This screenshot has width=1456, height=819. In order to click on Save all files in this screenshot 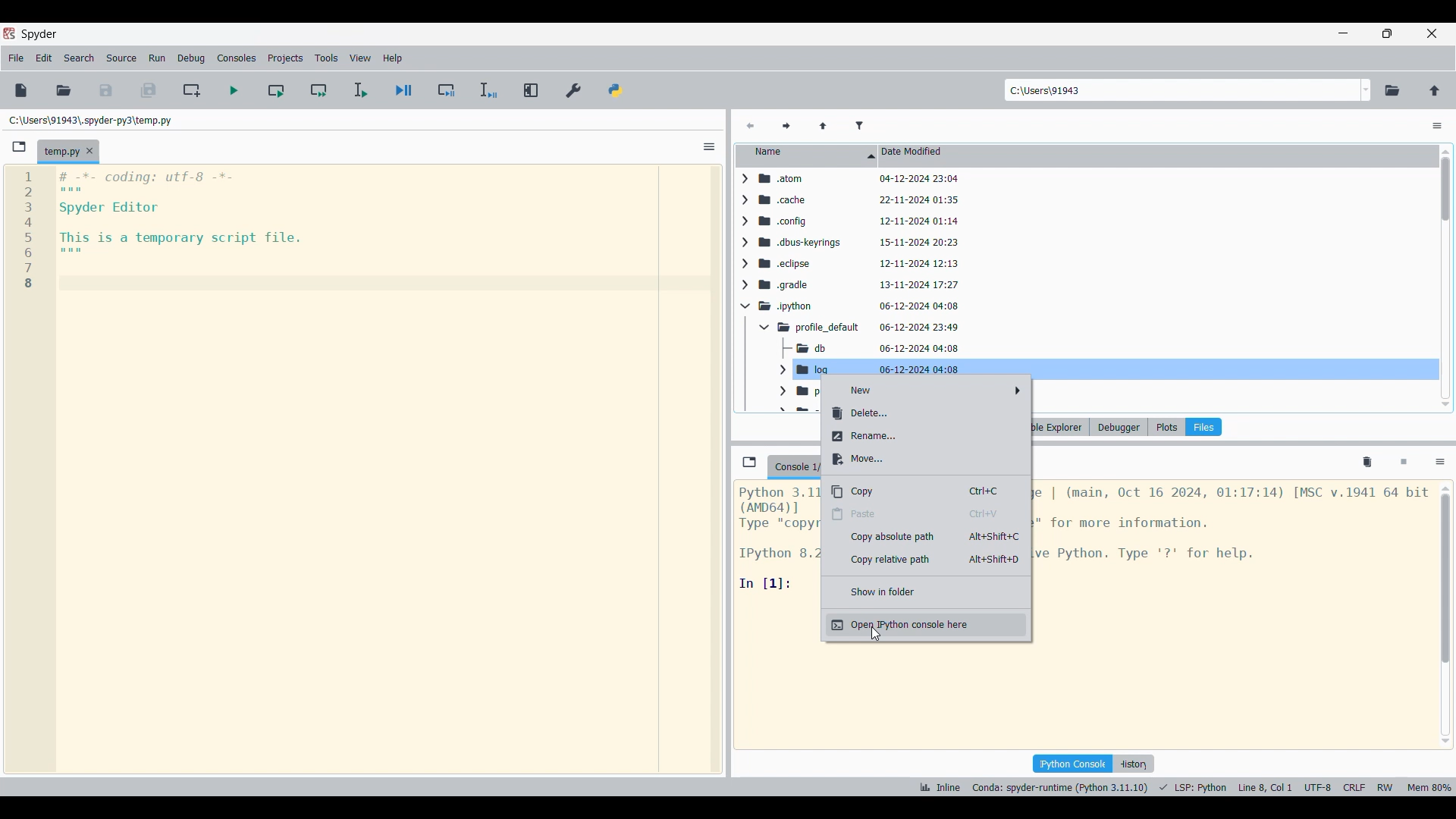, I will do `click(148, 90)`.